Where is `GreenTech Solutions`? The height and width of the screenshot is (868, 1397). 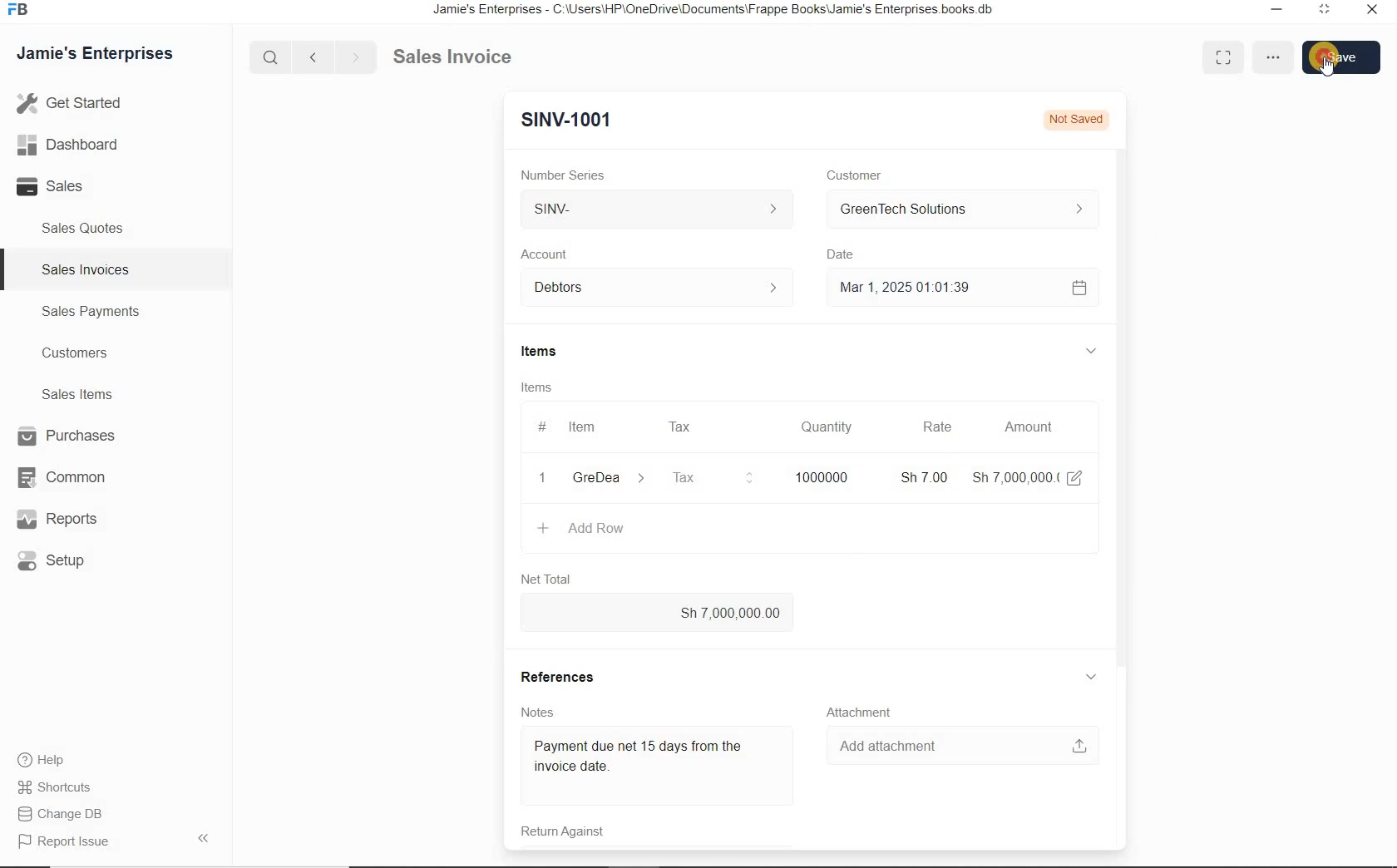 GreenTech Solutions is located at coordinates (955, 210).